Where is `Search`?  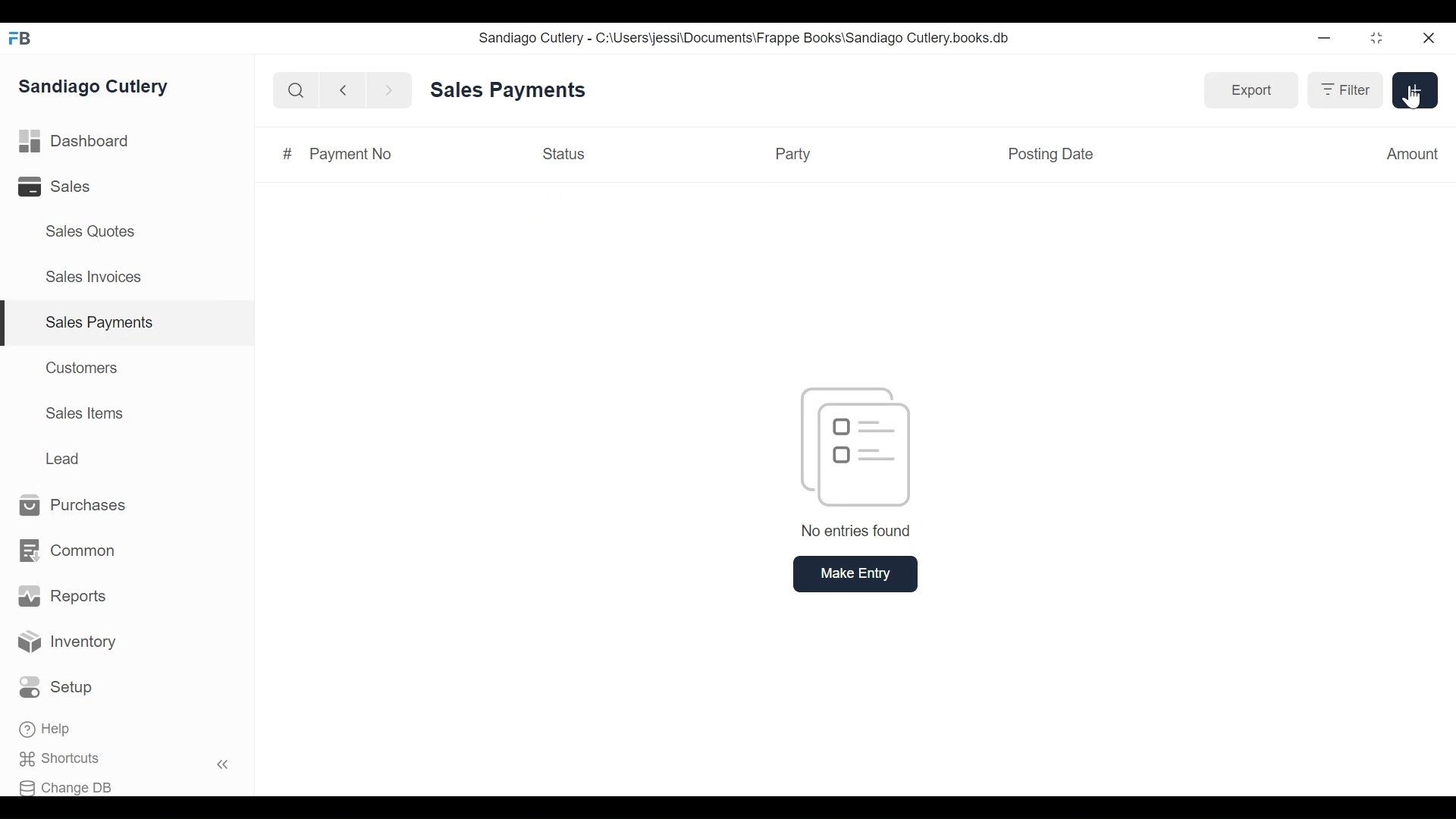 Search is located at coordinates (293, 90).